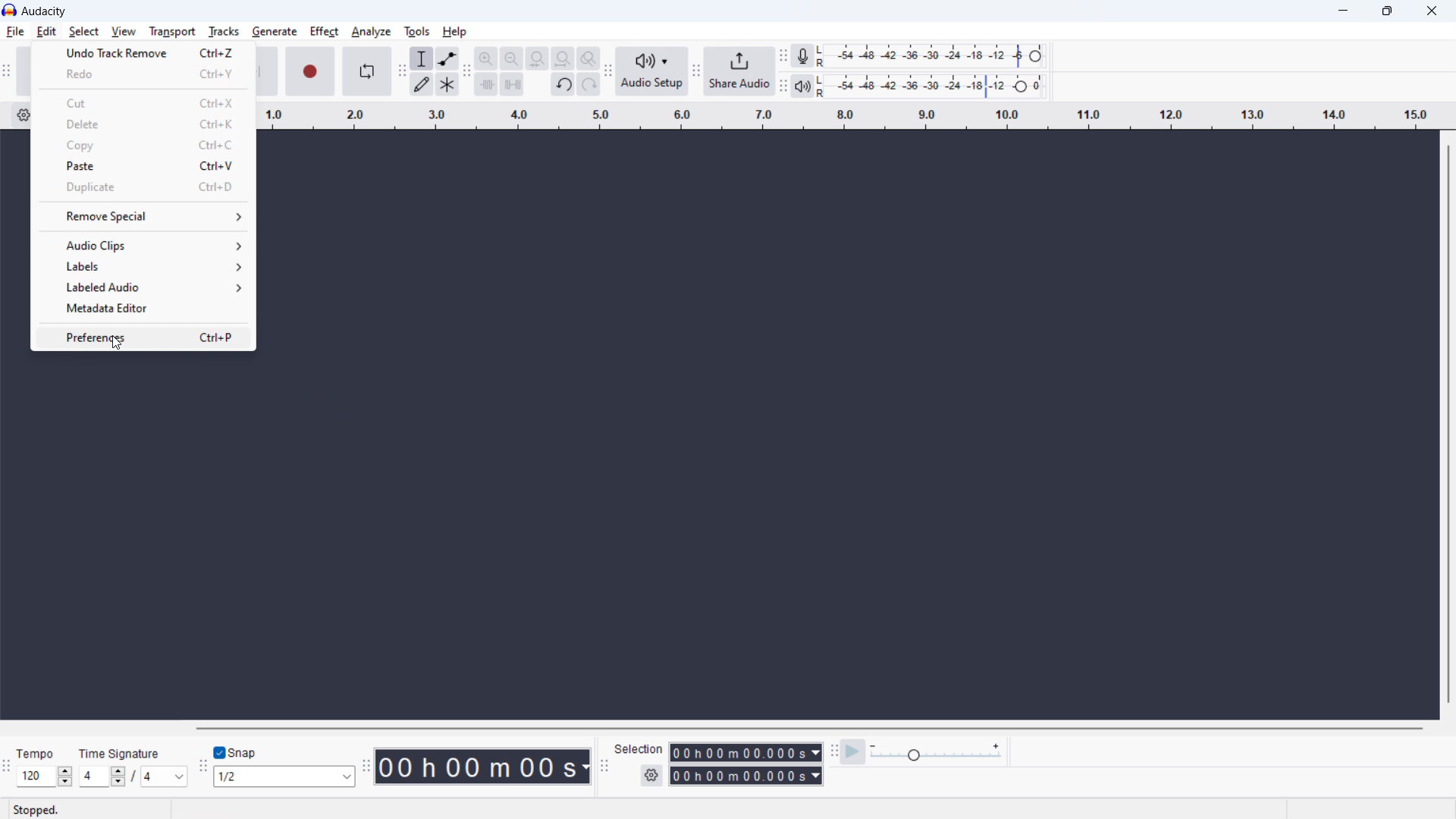 This screenshot has height=819, width=1456. I want to click on undo track remove, so click(140, 54).